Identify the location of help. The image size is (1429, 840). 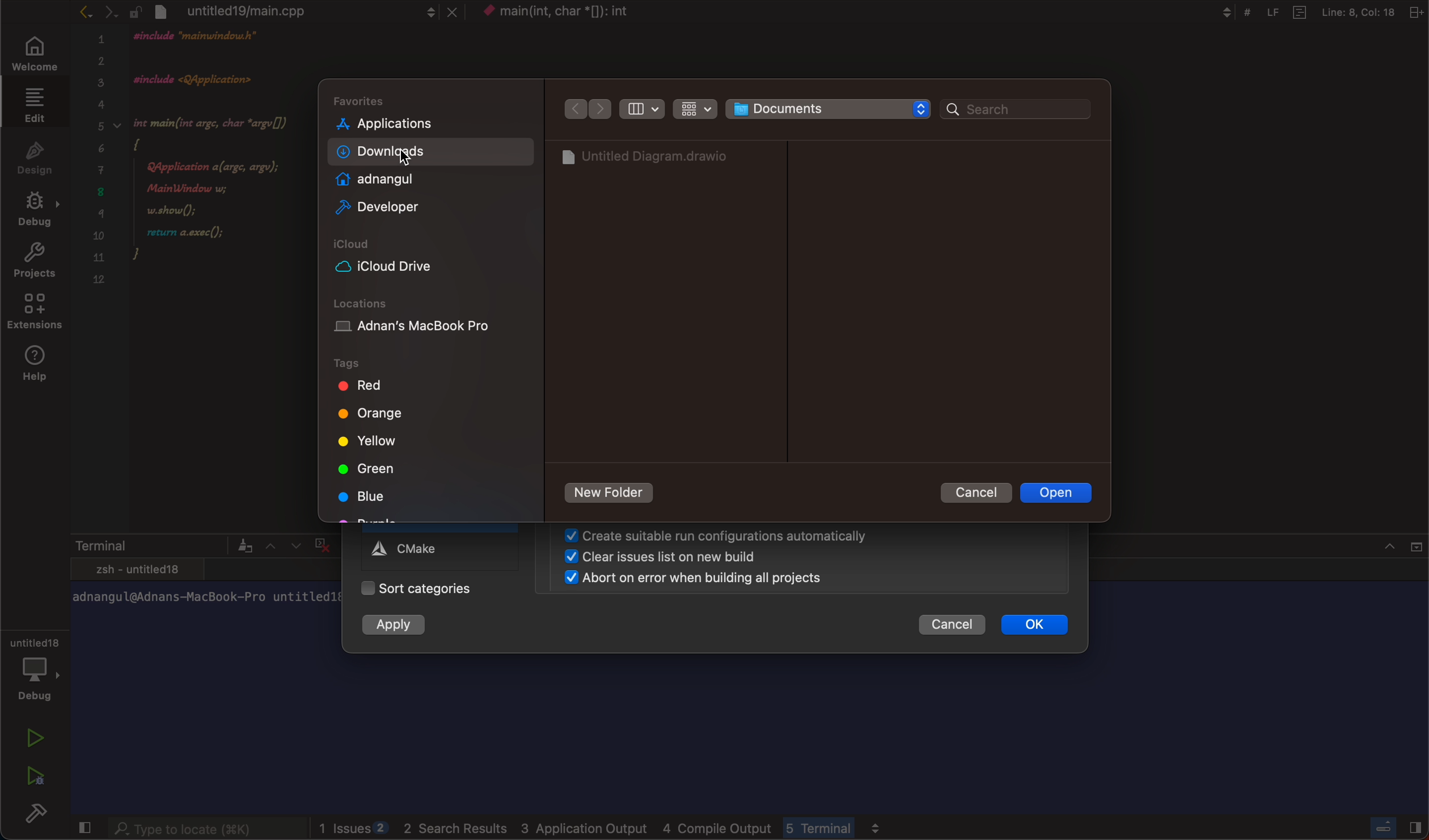
(40, 365).